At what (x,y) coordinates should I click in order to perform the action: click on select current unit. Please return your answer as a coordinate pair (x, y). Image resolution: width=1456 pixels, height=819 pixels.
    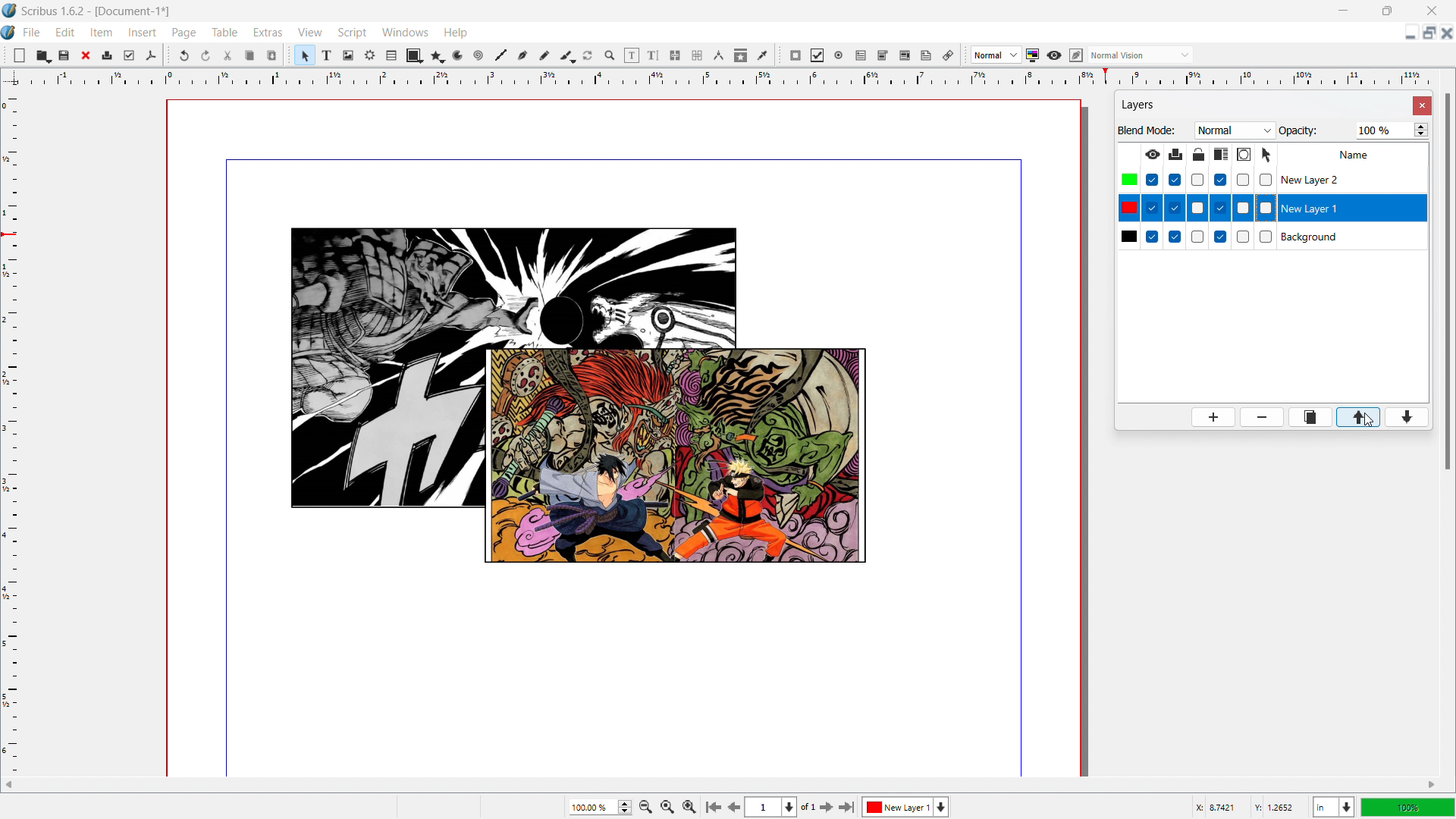
    Looking at the image, I should click on (1333, 806).